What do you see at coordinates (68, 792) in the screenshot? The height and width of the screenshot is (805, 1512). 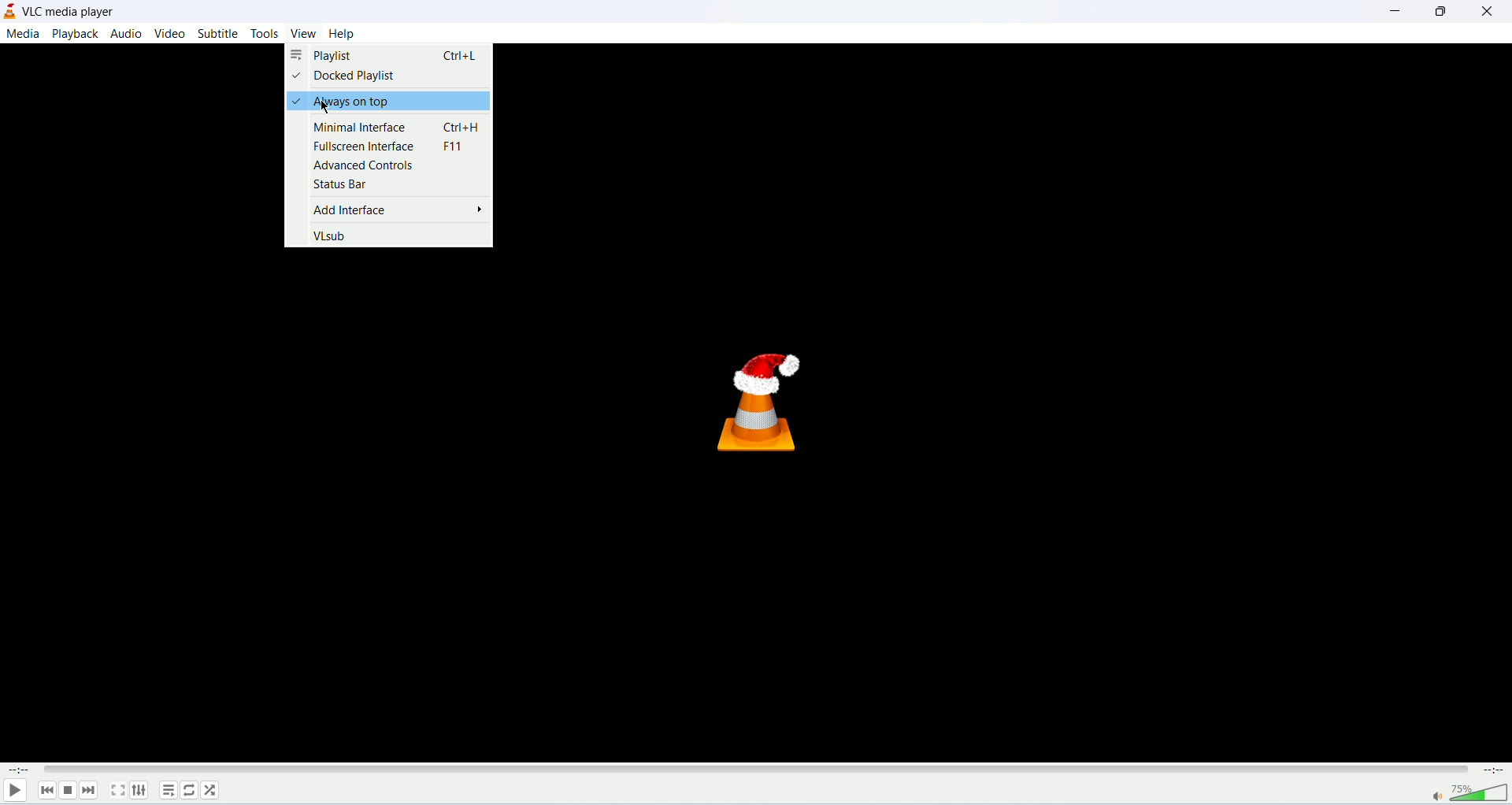 I see `stop` at bounding box center [68, 792].